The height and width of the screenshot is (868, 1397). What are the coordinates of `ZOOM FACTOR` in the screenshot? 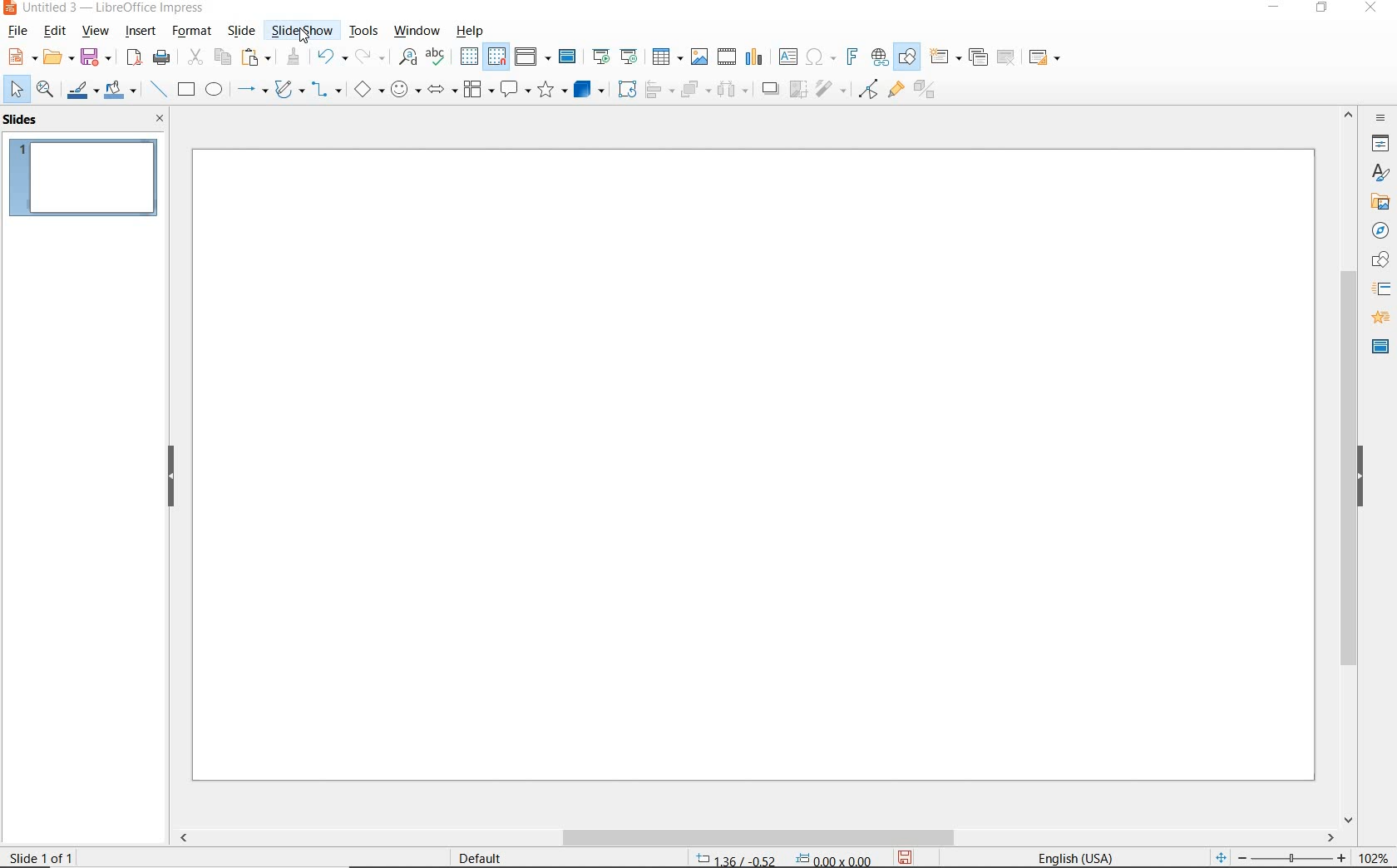 It's located at (1375, 856).